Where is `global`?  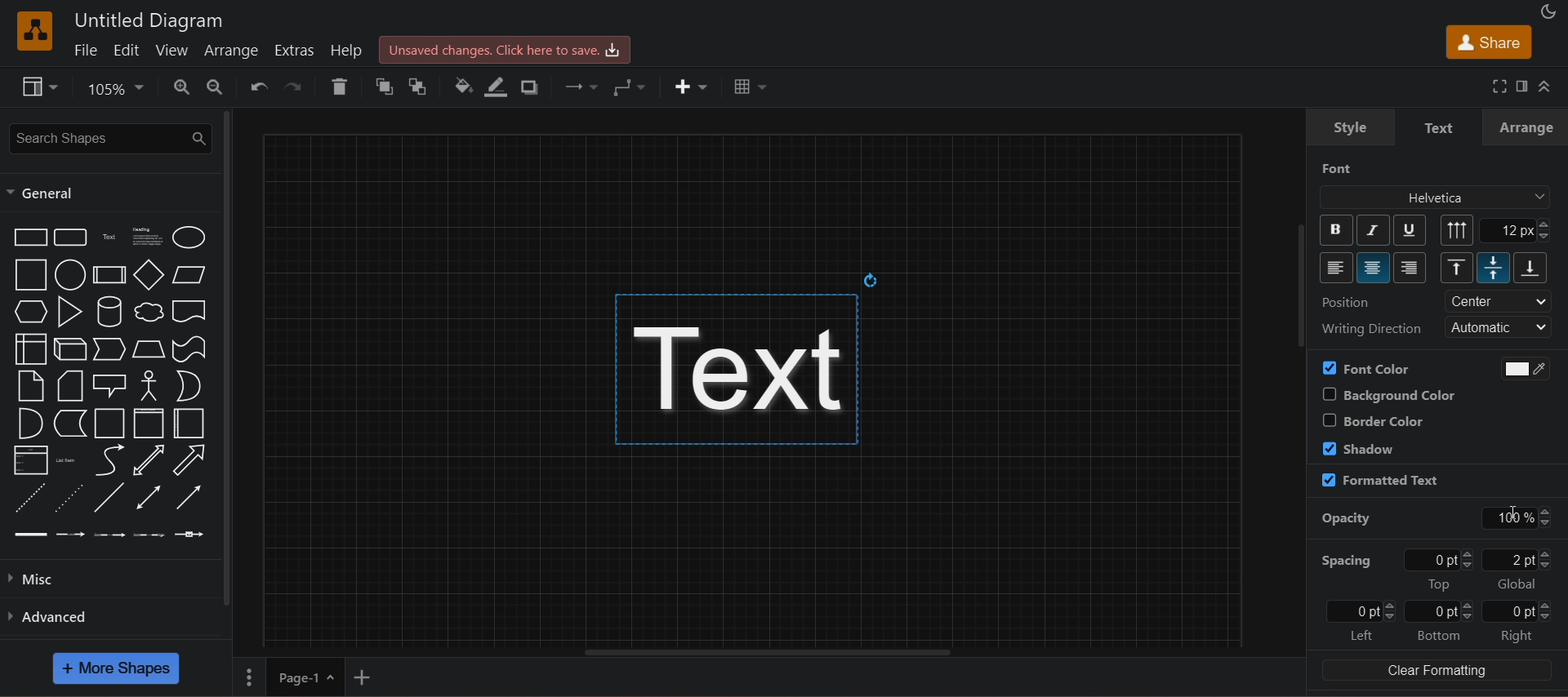 global is located at coordinates (1517, 584).